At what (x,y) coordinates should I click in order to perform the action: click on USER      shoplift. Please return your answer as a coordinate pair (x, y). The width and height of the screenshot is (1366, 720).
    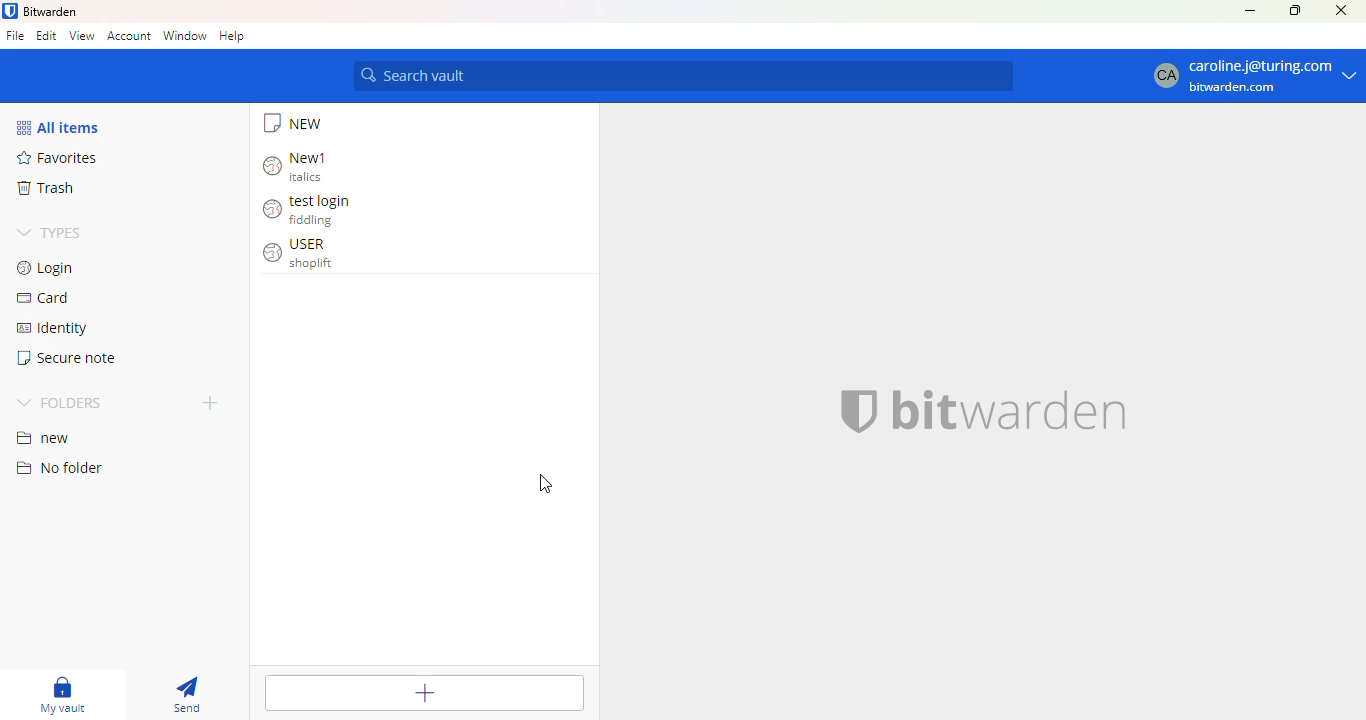
    Looking at the image, I should click on (301, 254).